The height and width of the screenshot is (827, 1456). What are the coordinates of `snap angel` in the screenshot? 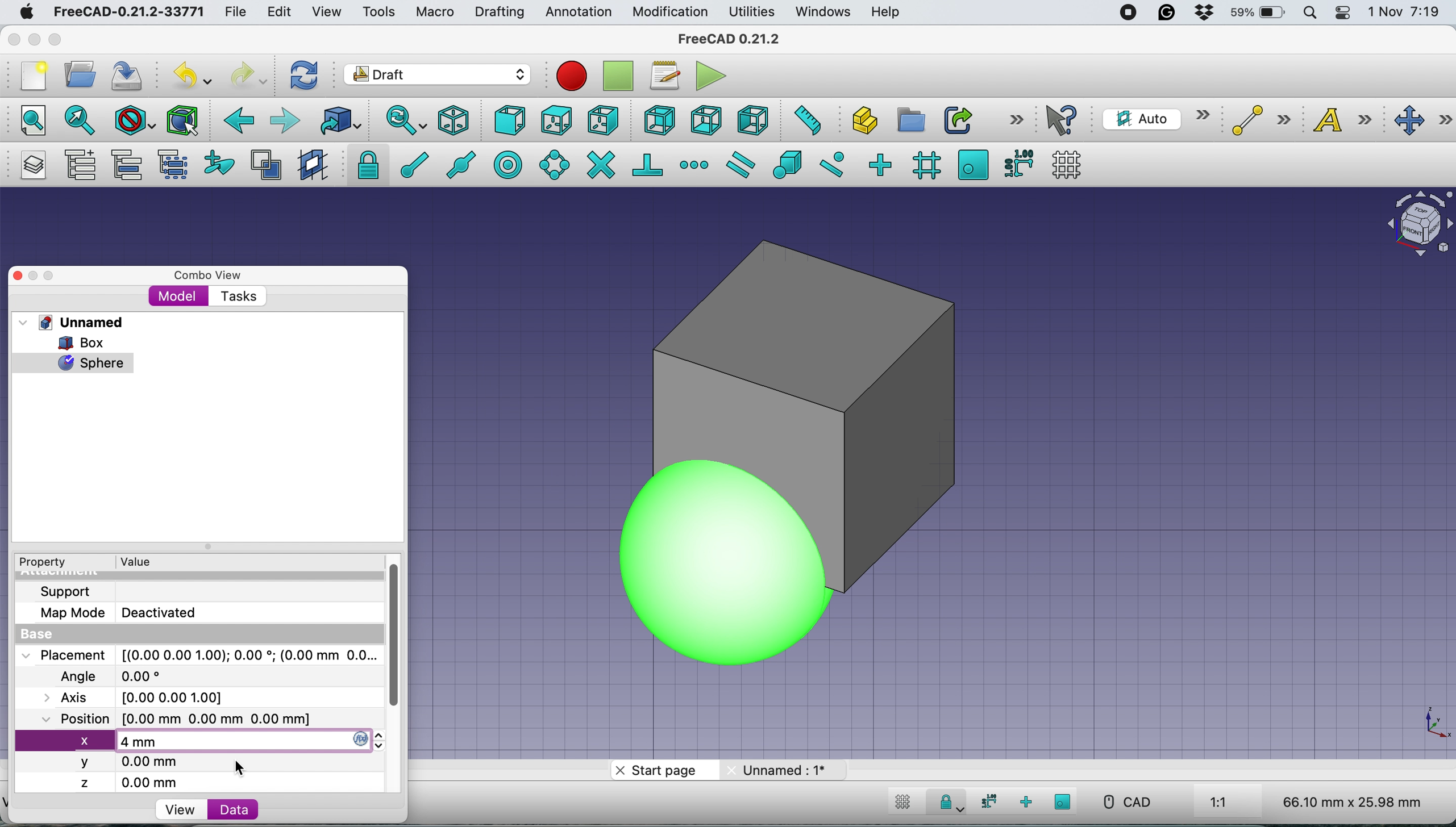 It's located at (551, 164).